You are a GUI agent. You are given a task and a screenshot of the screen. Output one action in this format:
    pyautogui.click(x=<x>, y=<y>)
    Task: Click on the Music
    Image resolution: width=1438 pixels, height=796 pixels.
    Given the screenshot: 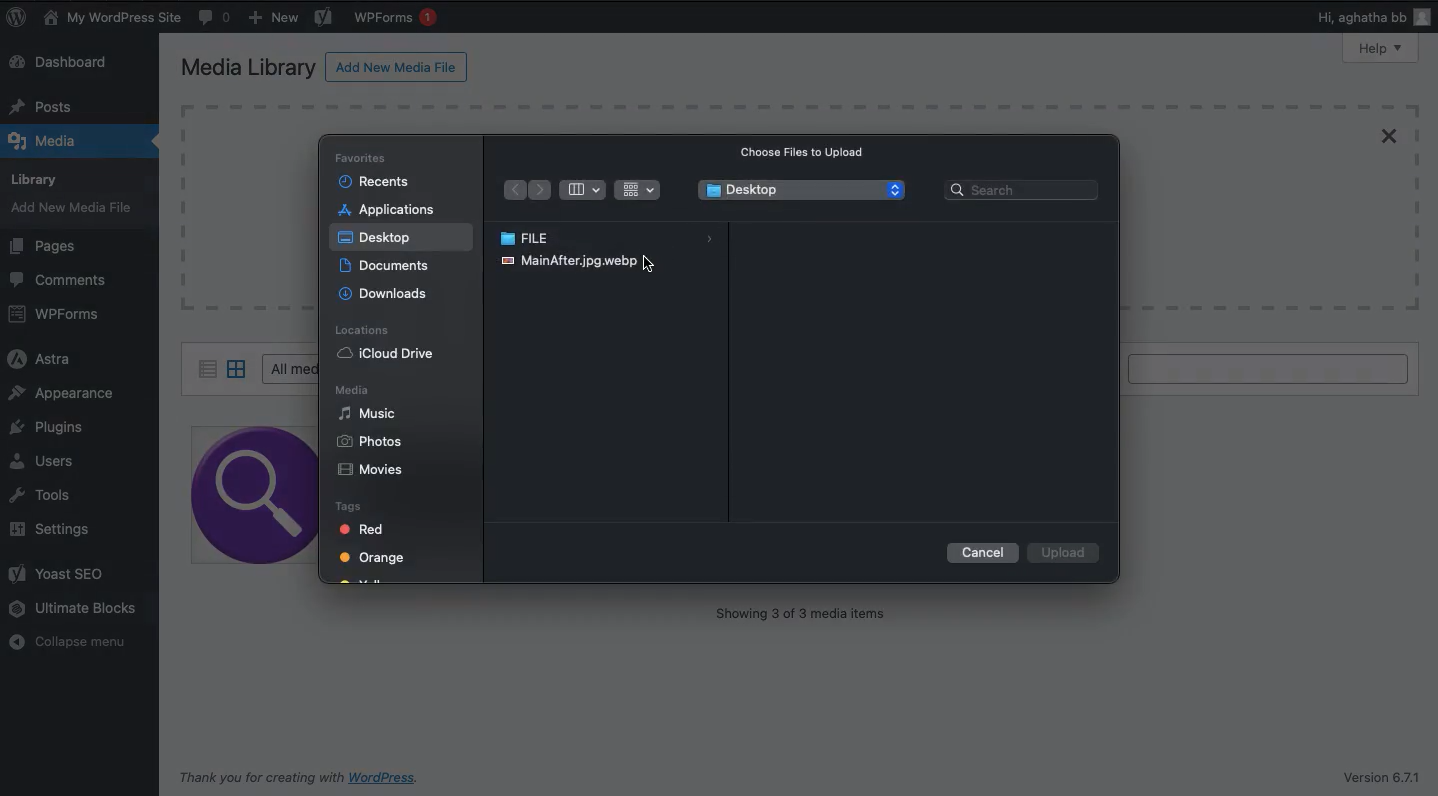 What is the action you would take?
    pyautogui.click(x=373, y=413)
    